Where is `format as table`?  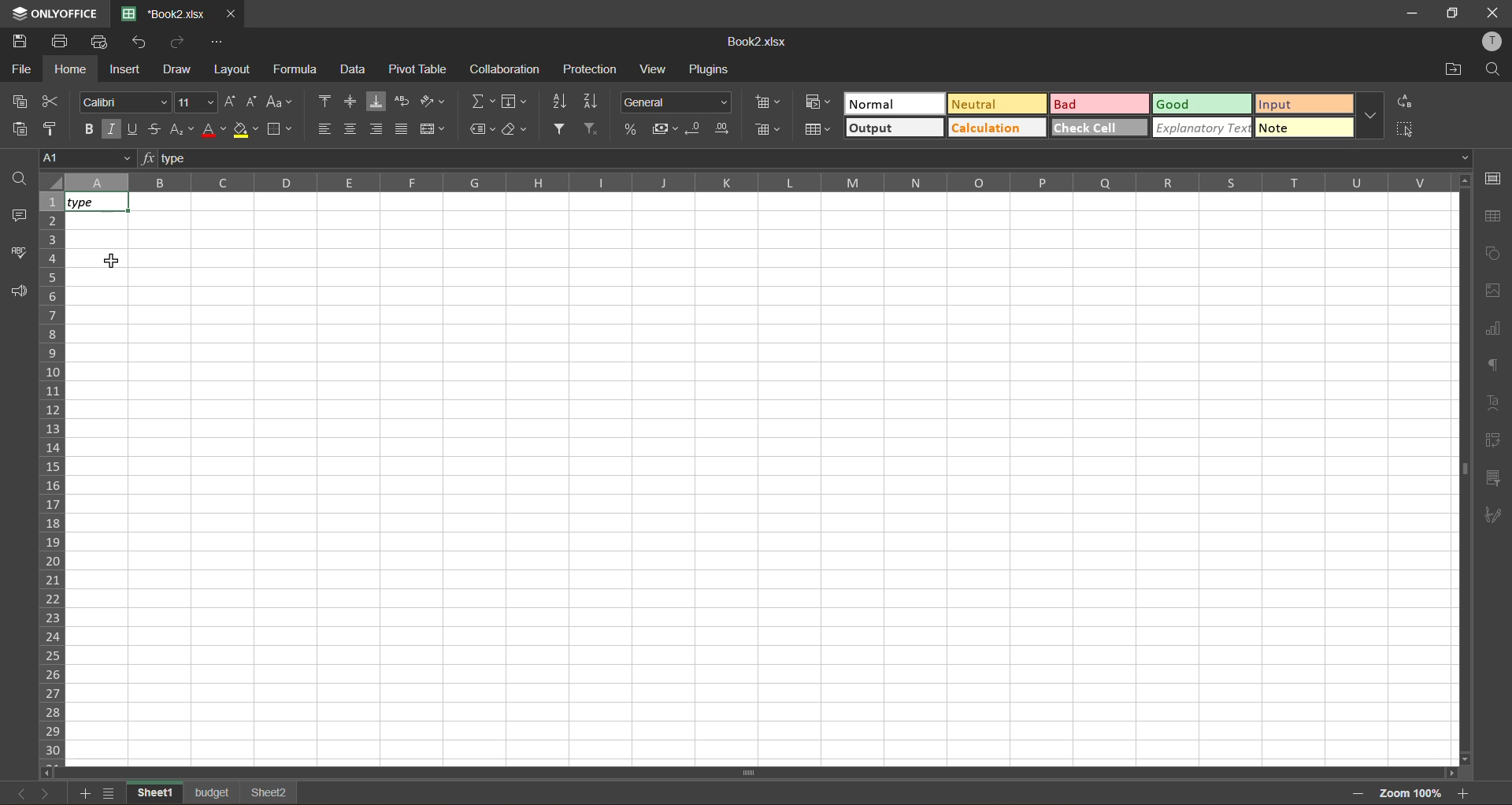 format as table is located at coordinates (817, 131).